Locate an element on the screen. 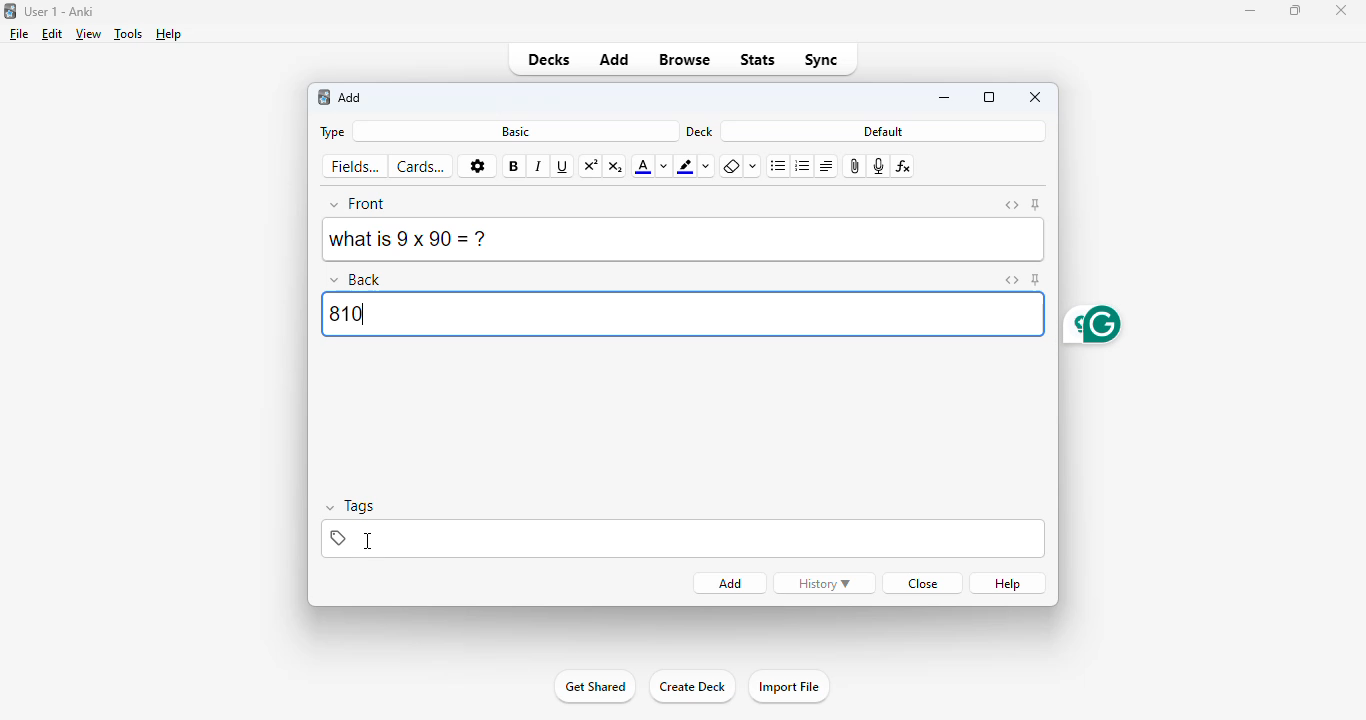 The height and width of the screenshot is (720, 1366). superscript is located at coordinates (592, 165).